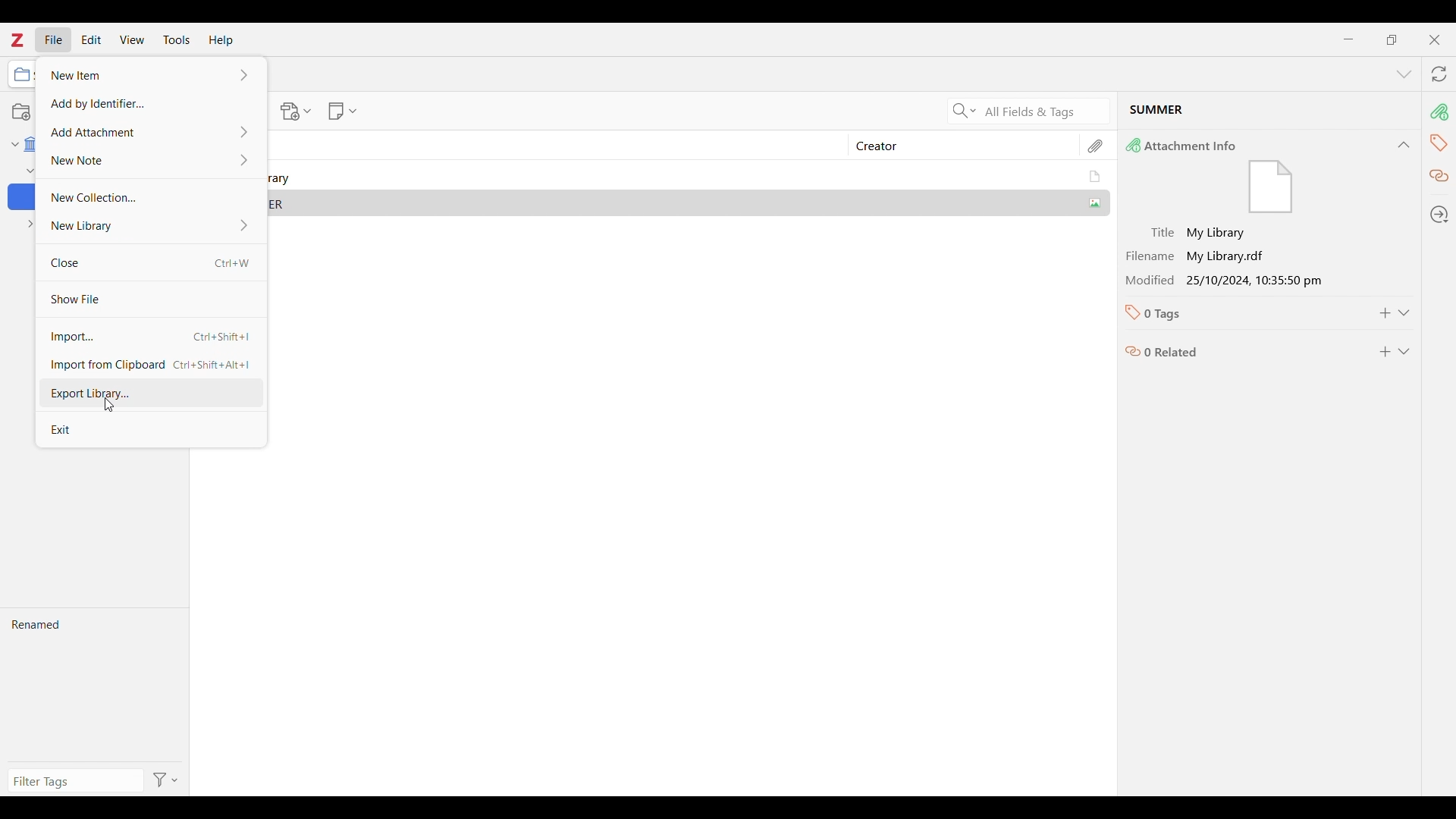 The width and height of the screenshot is (1456, 819). What do you see at coordinates (297, 111) in the screenshot?
I see `Add attachment ` at bounding box center [297, 111].